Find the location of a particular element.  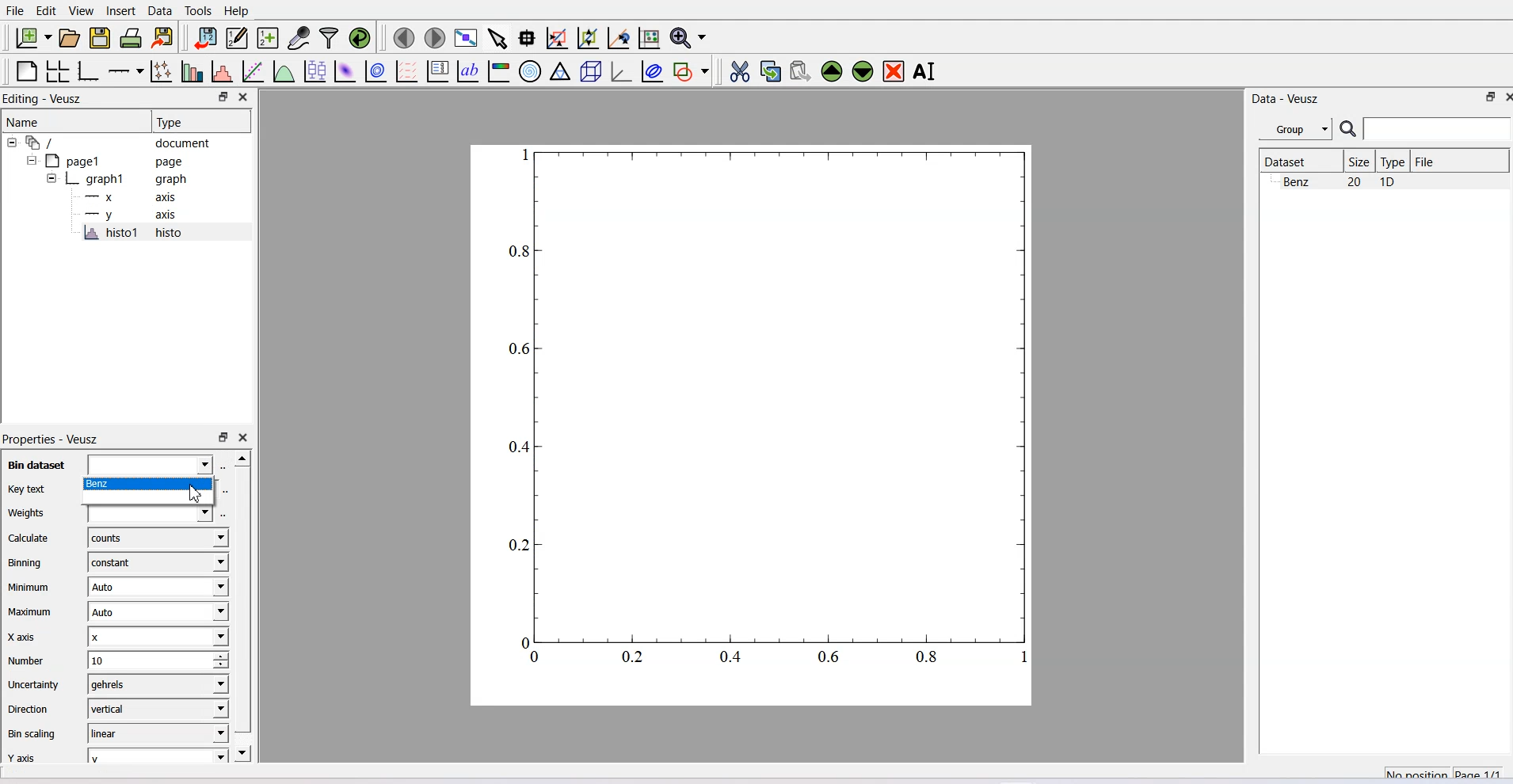

Collapse is located at coordinates (48, 178).